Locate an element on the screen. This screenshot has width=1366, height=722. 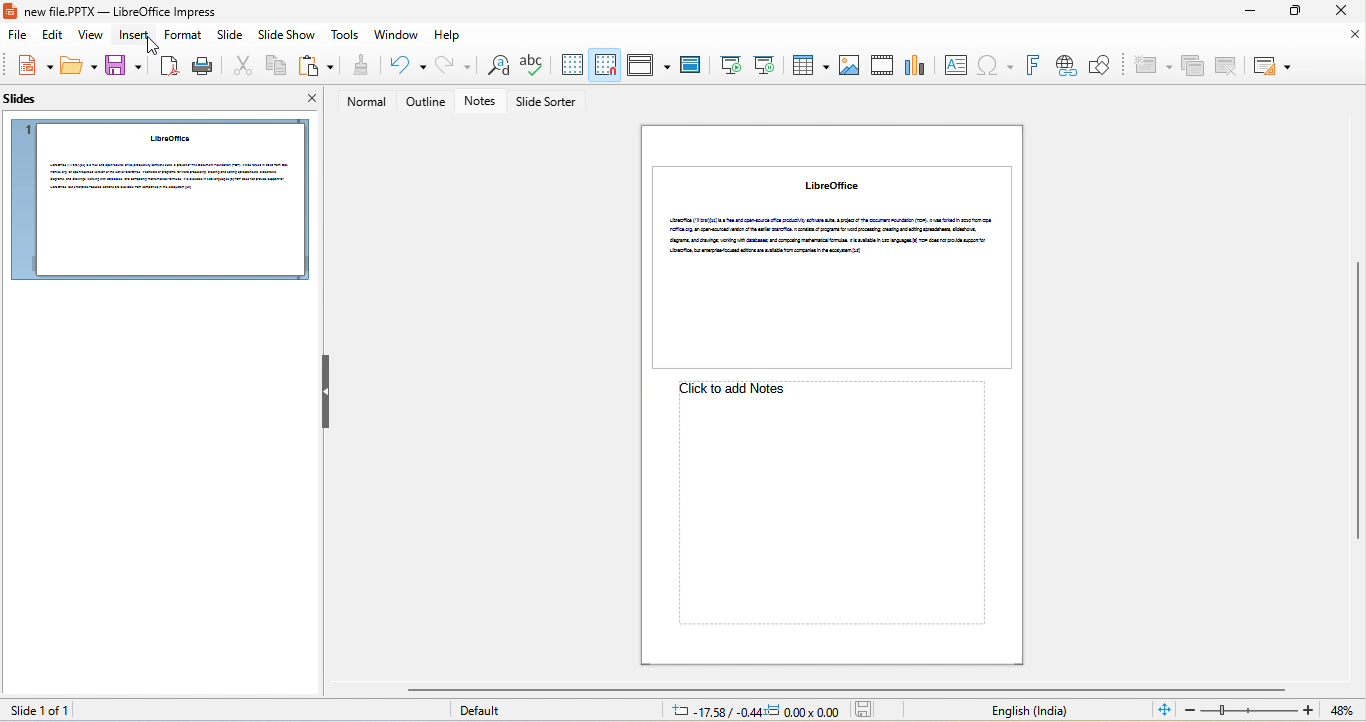
start from current slide is located at coordinates (764, 64).